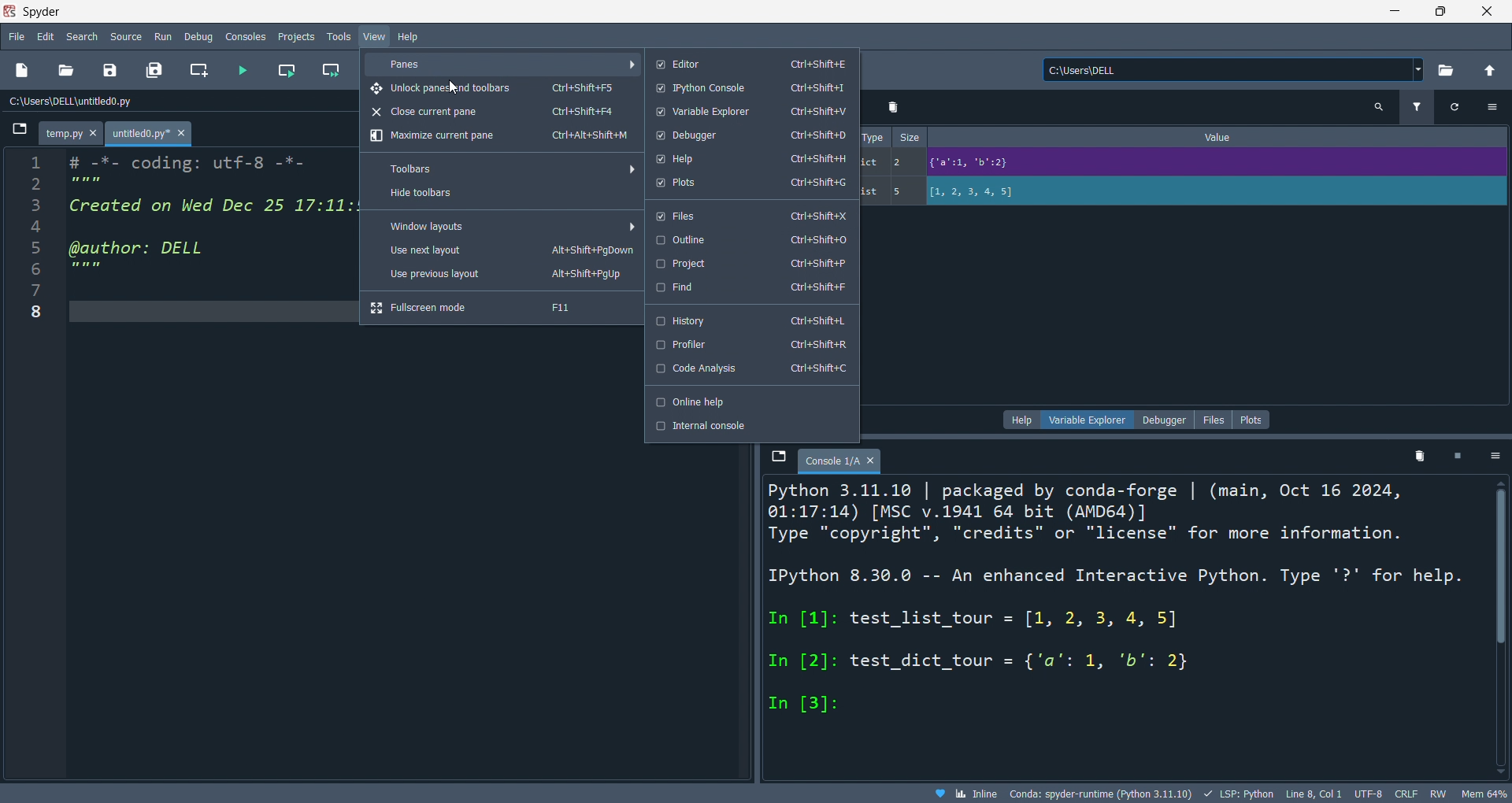  I want to click on variable value, so click(1214, 193).